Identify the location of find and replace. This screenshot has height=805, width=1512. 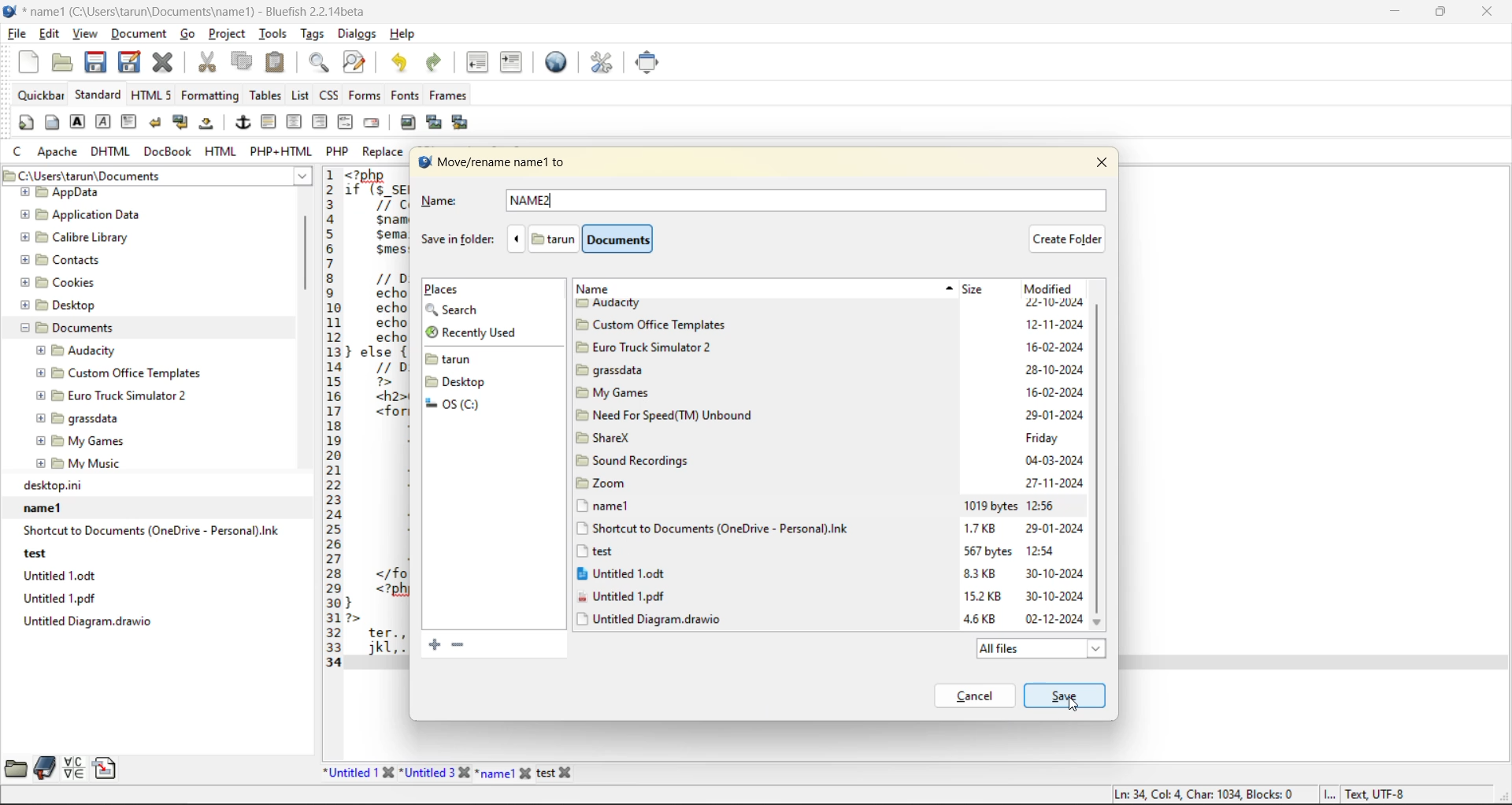
(360, 62).